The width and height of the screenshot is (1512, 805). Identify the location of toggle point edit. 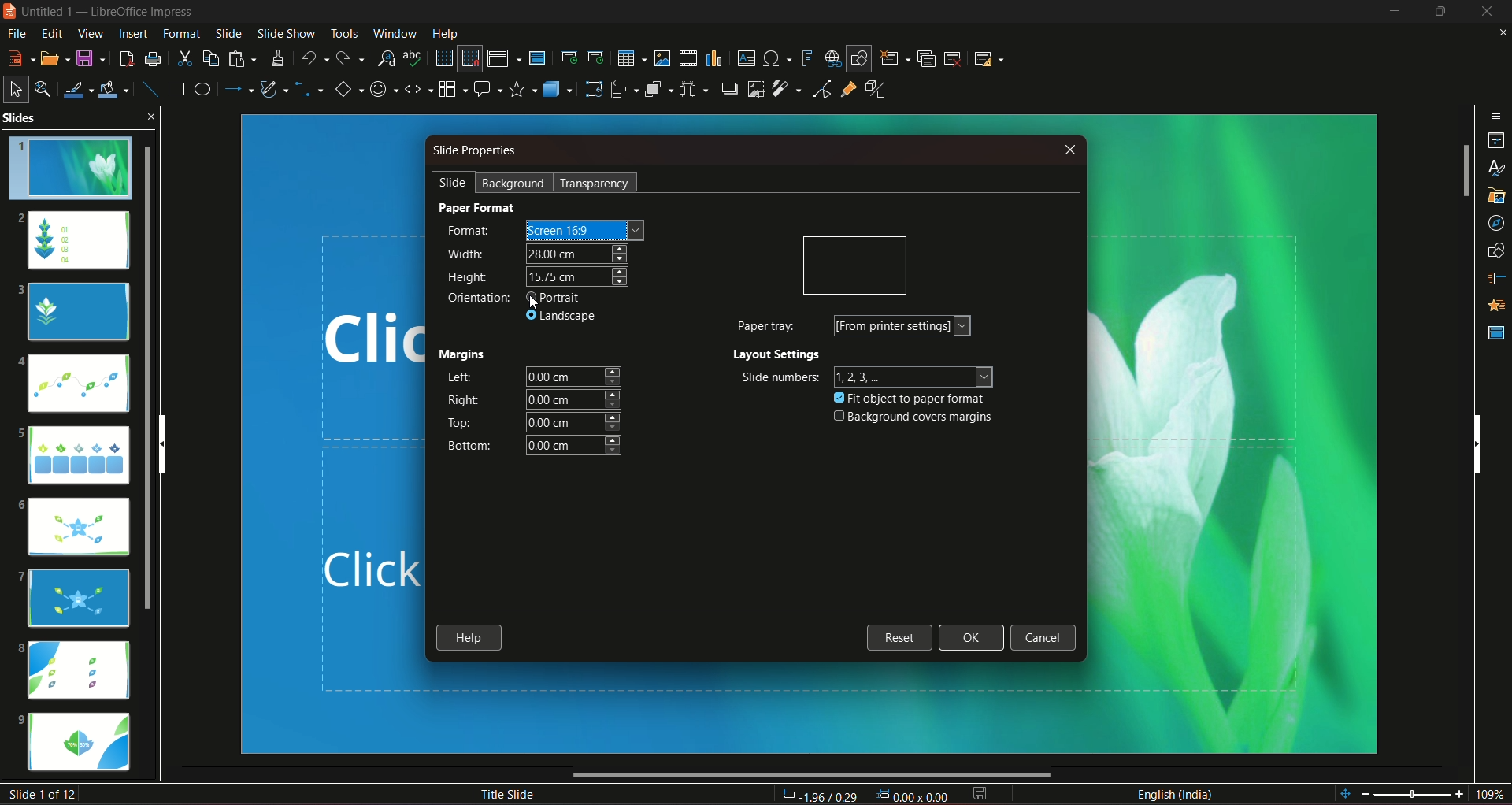
(820, 91).